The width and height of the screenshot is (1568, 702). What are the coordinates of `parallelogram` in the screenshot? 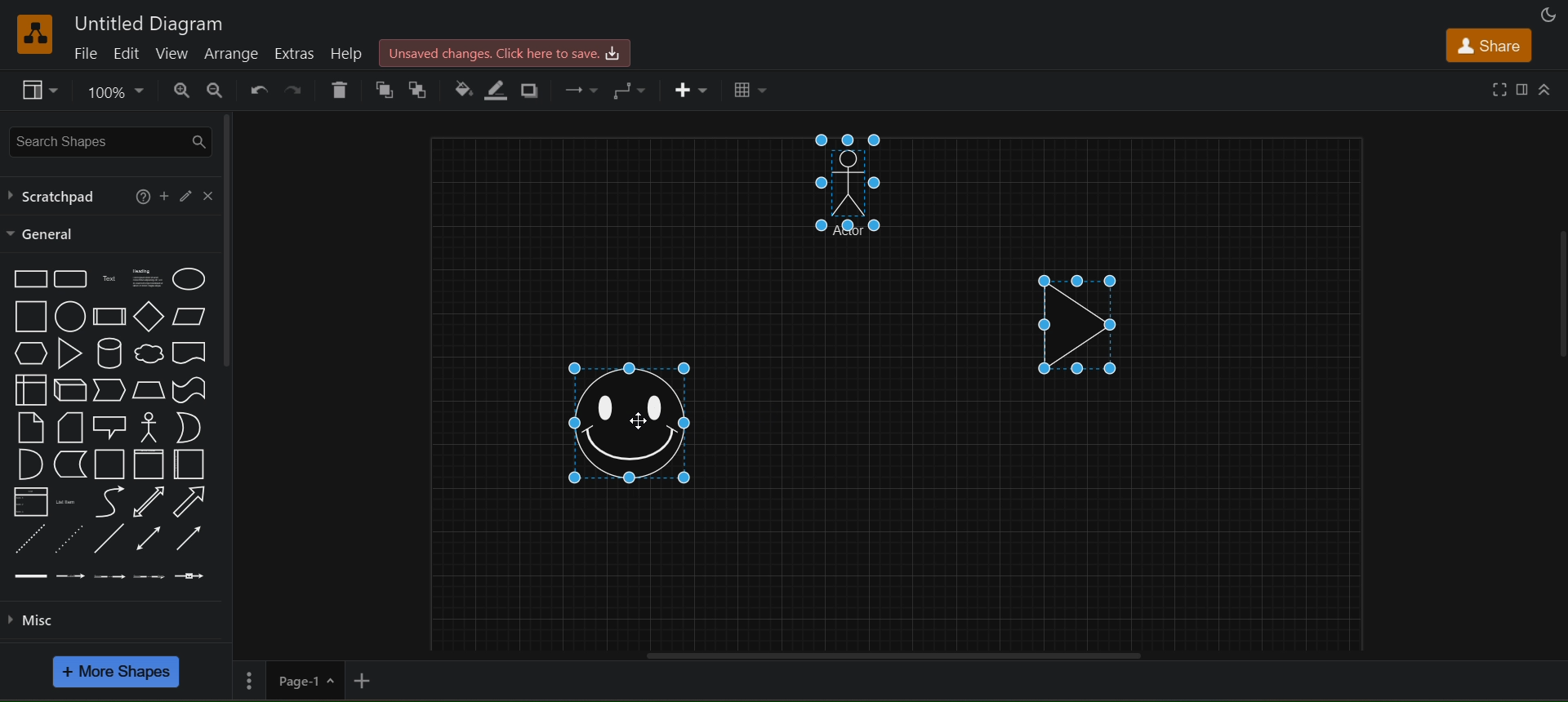 It's located at (192, 318).